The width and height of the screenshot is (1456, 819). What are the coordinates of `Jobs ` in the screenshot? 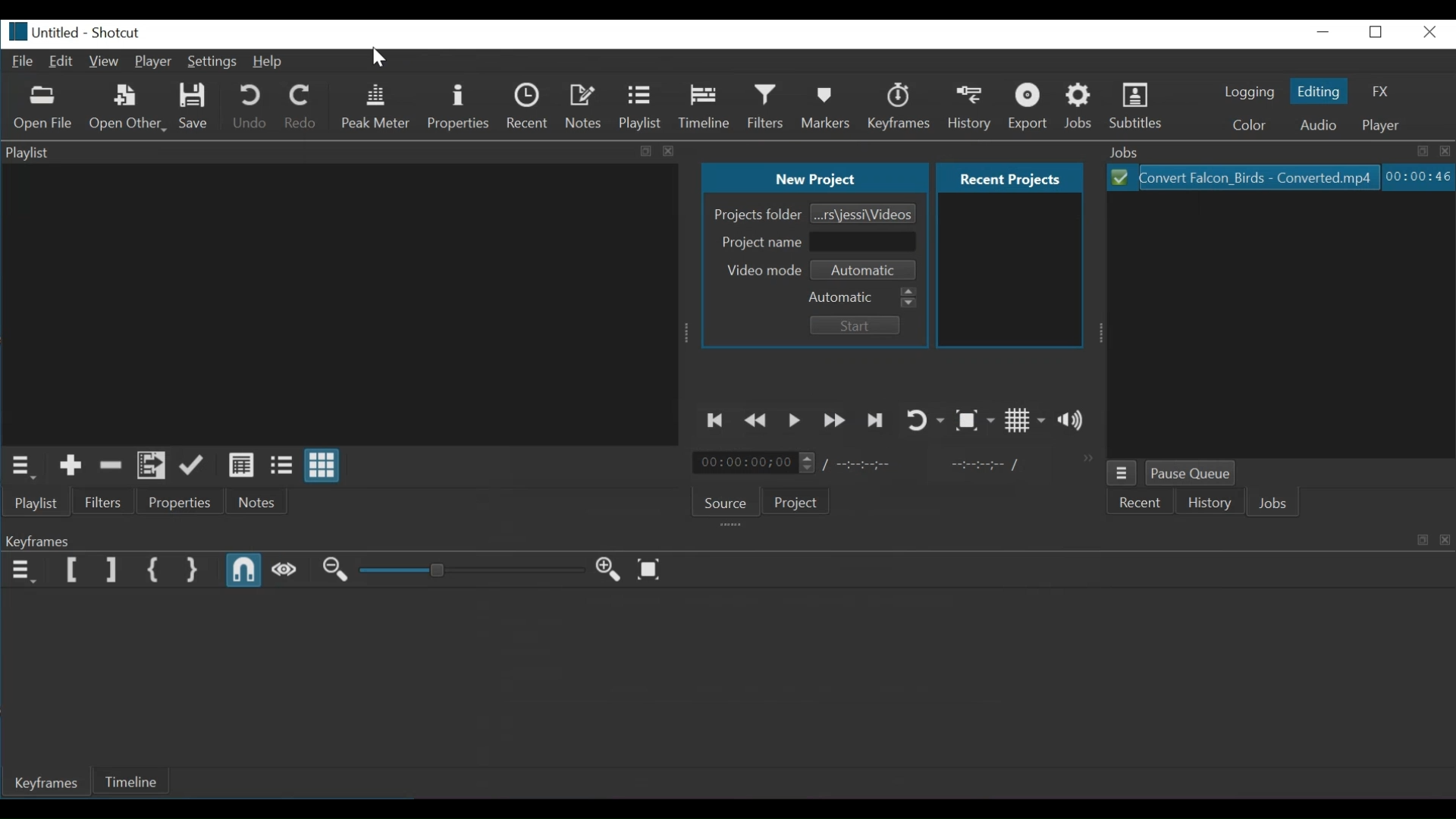 It's located at (1276, 151).